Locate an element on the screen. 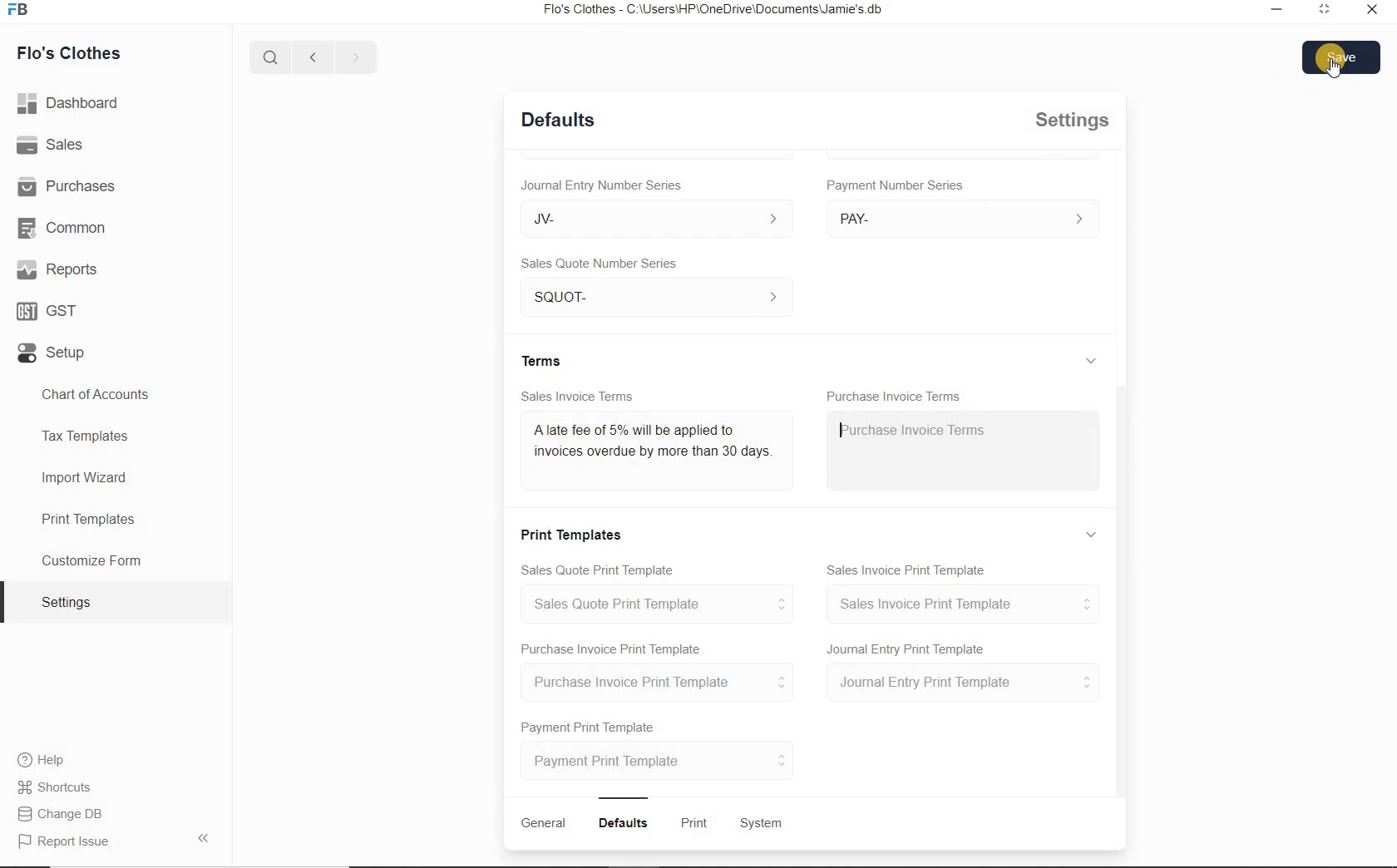 This screenshot has height=868, width=1397. Expand is located at coordinates (1094, 534).